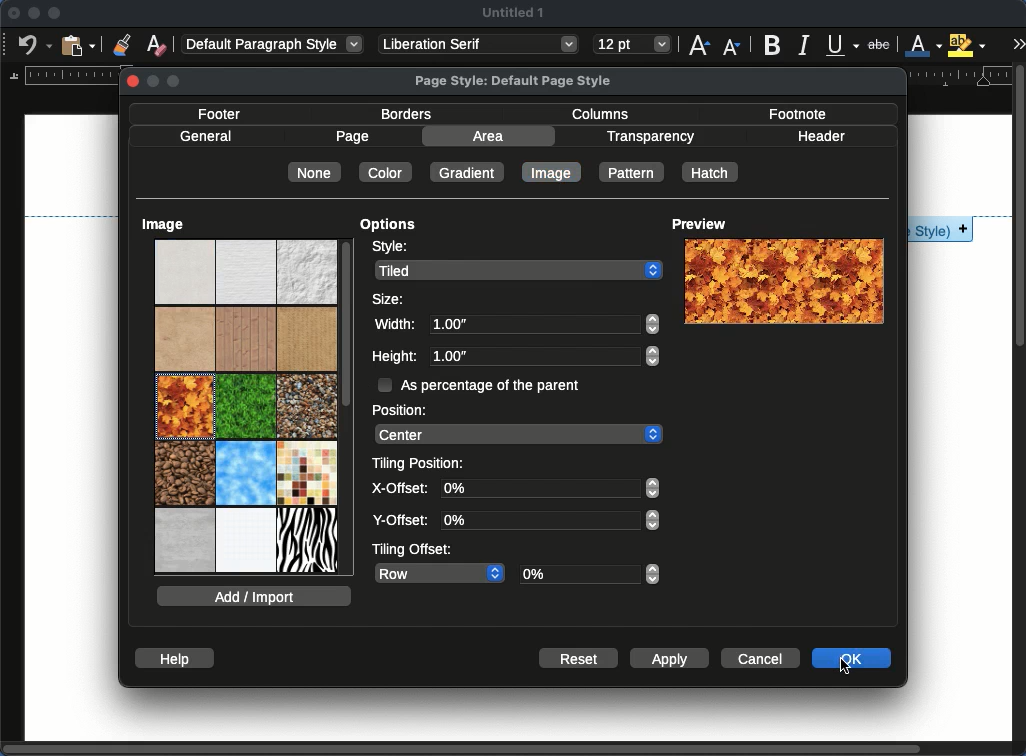  What do you see at coordinates (185, 409) in the screenshot?
I see `image - selected` at bounding box center [185, 409].